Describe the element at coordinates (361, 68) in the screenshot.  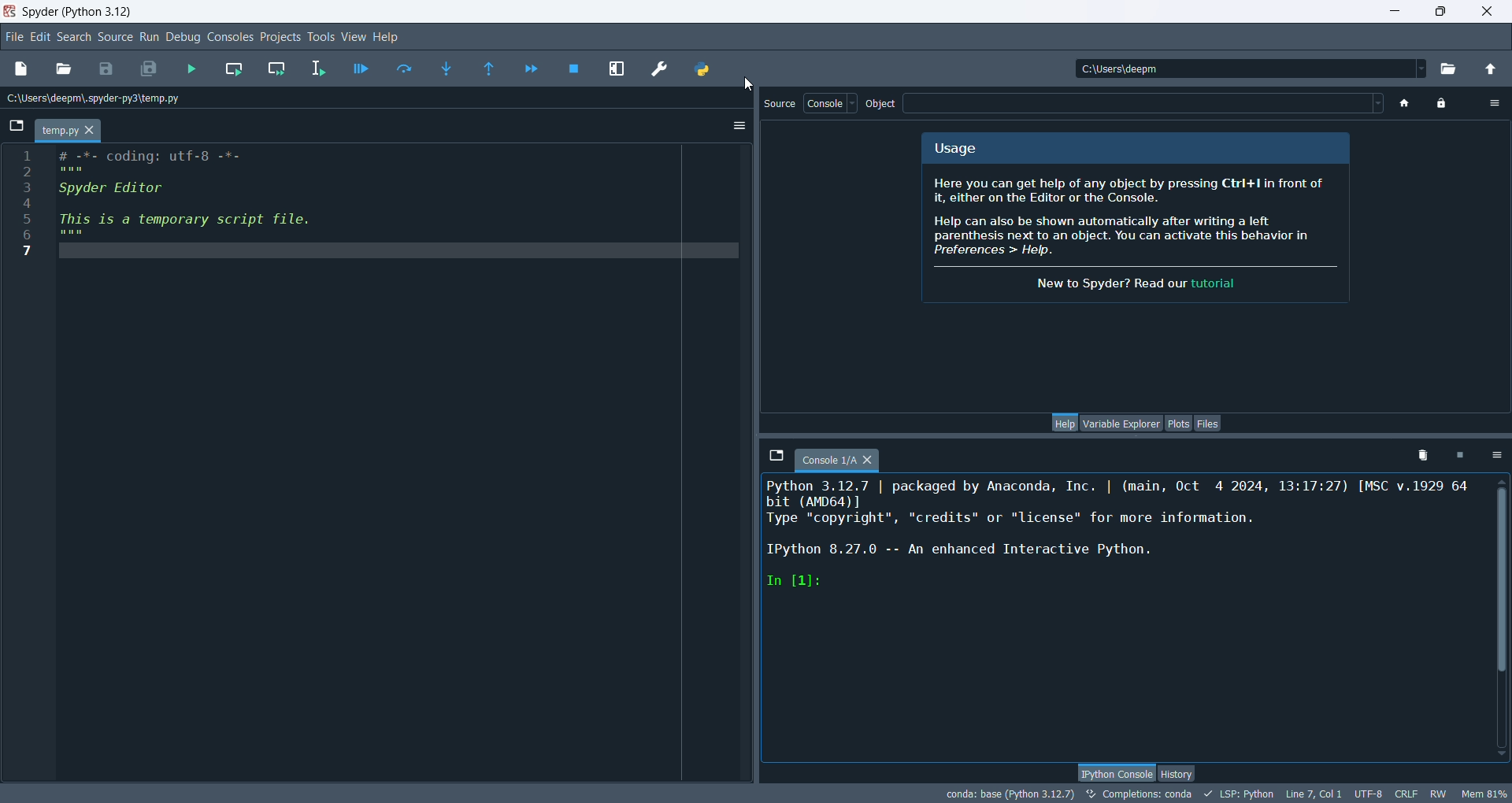
I see `debug files` at that location.